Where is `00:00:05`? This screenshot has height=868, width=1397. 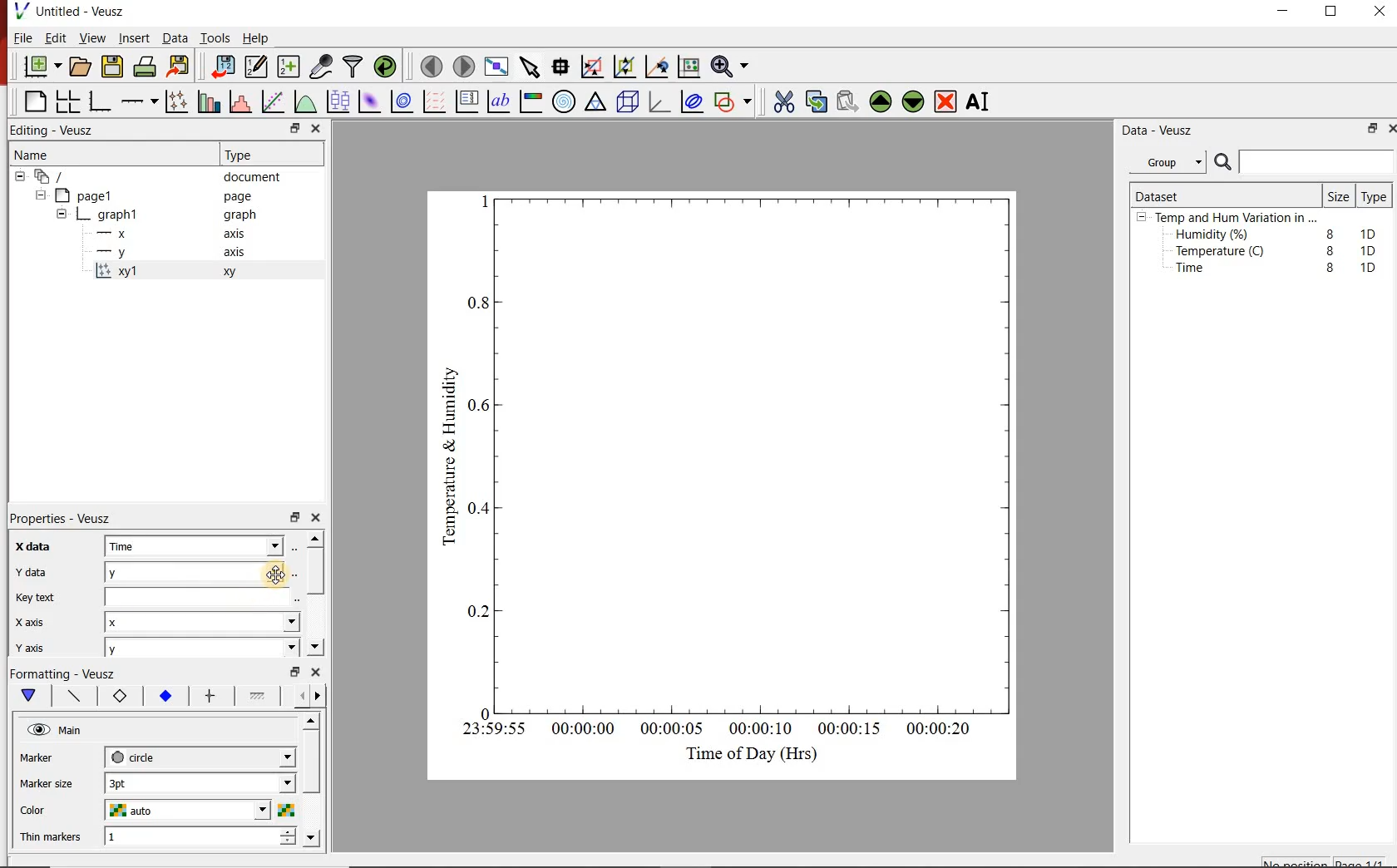 00:00:05 is located at coordinates (667, 732).